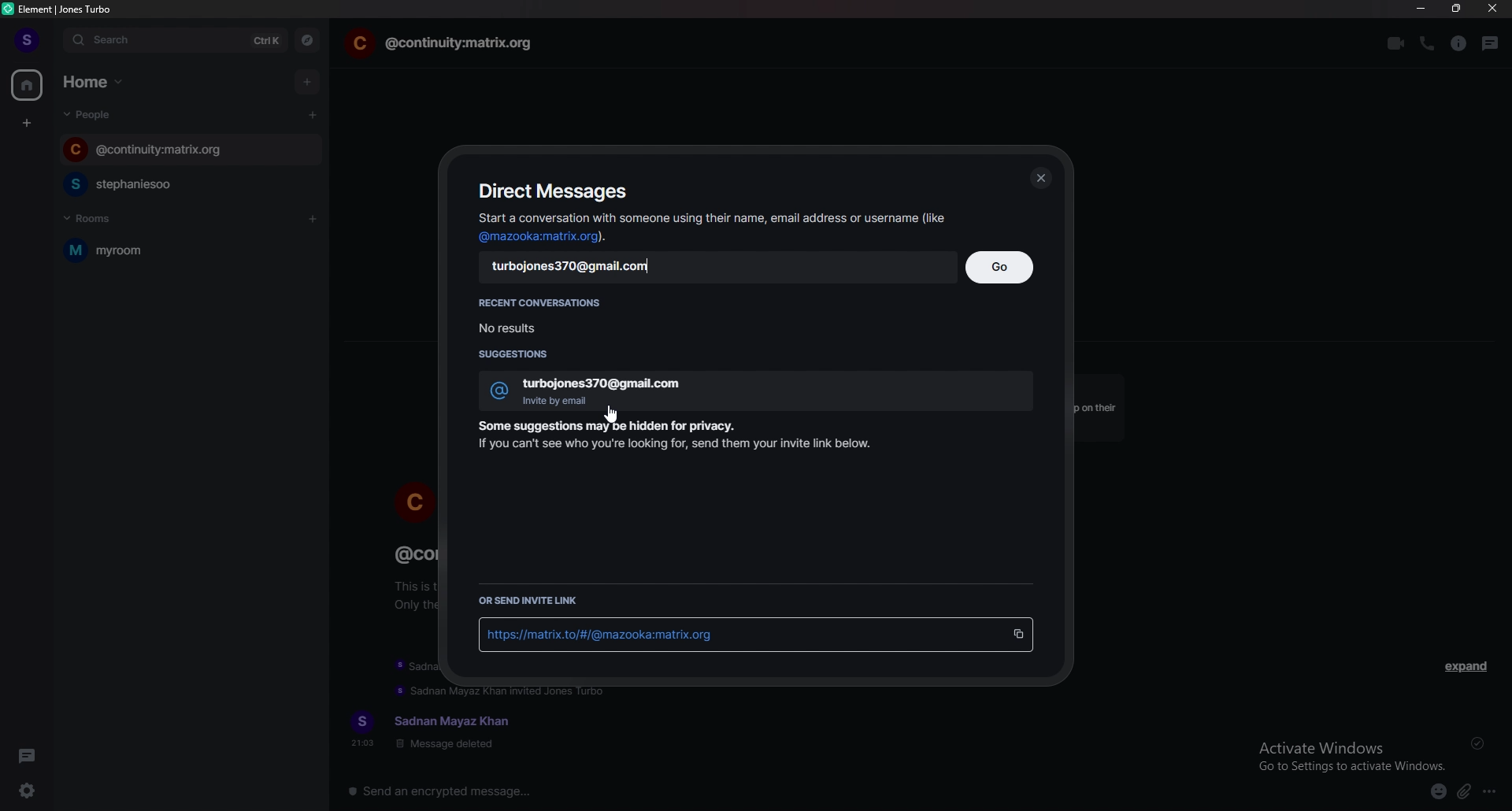 The image size is (1512, 811). Describe the element at coordinates (1491, 793) in the screenshot. I see `more options` at that location.